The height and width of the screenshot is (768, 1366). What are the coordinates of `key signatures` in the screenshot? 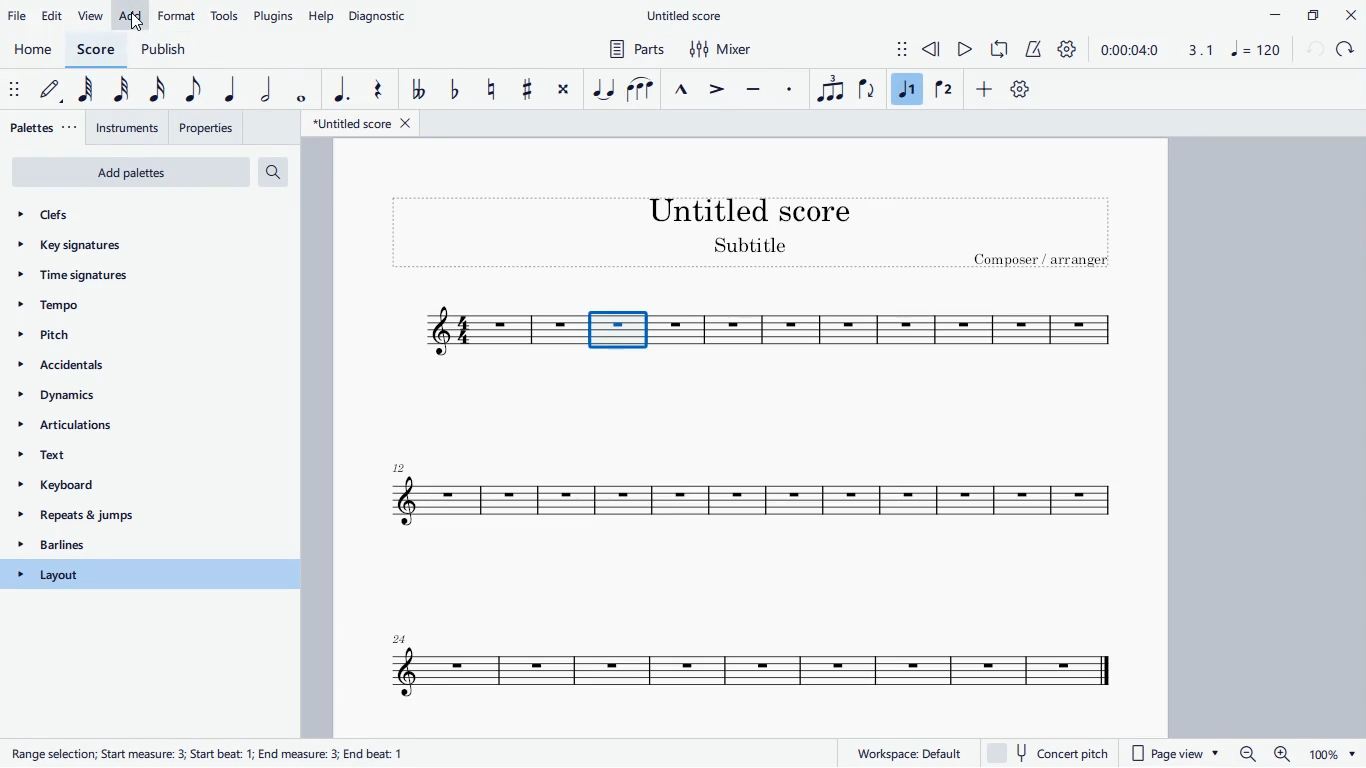 It's located at (116, 250).